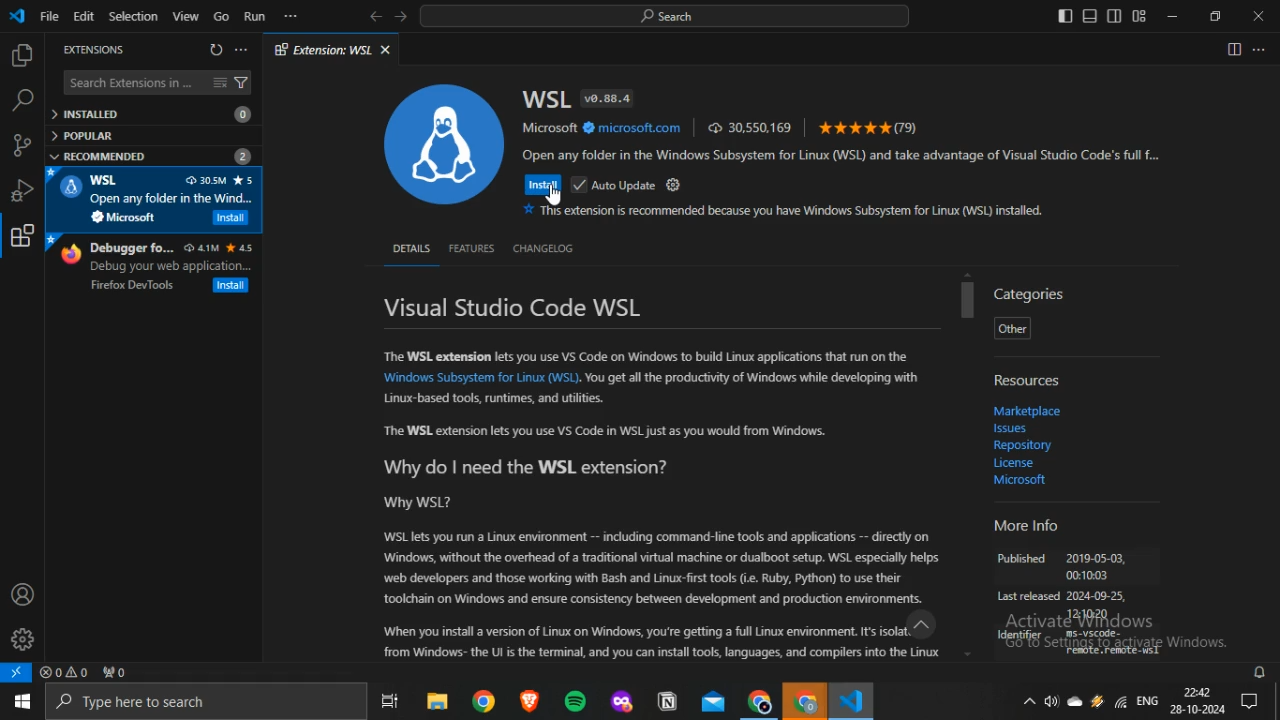  What do you see at coordinates (606, 430) in the screenshot?
I see `“The WSL extension lets you use VS Code in WSL just as you would from Windows.` at bounding box center [606, 430].